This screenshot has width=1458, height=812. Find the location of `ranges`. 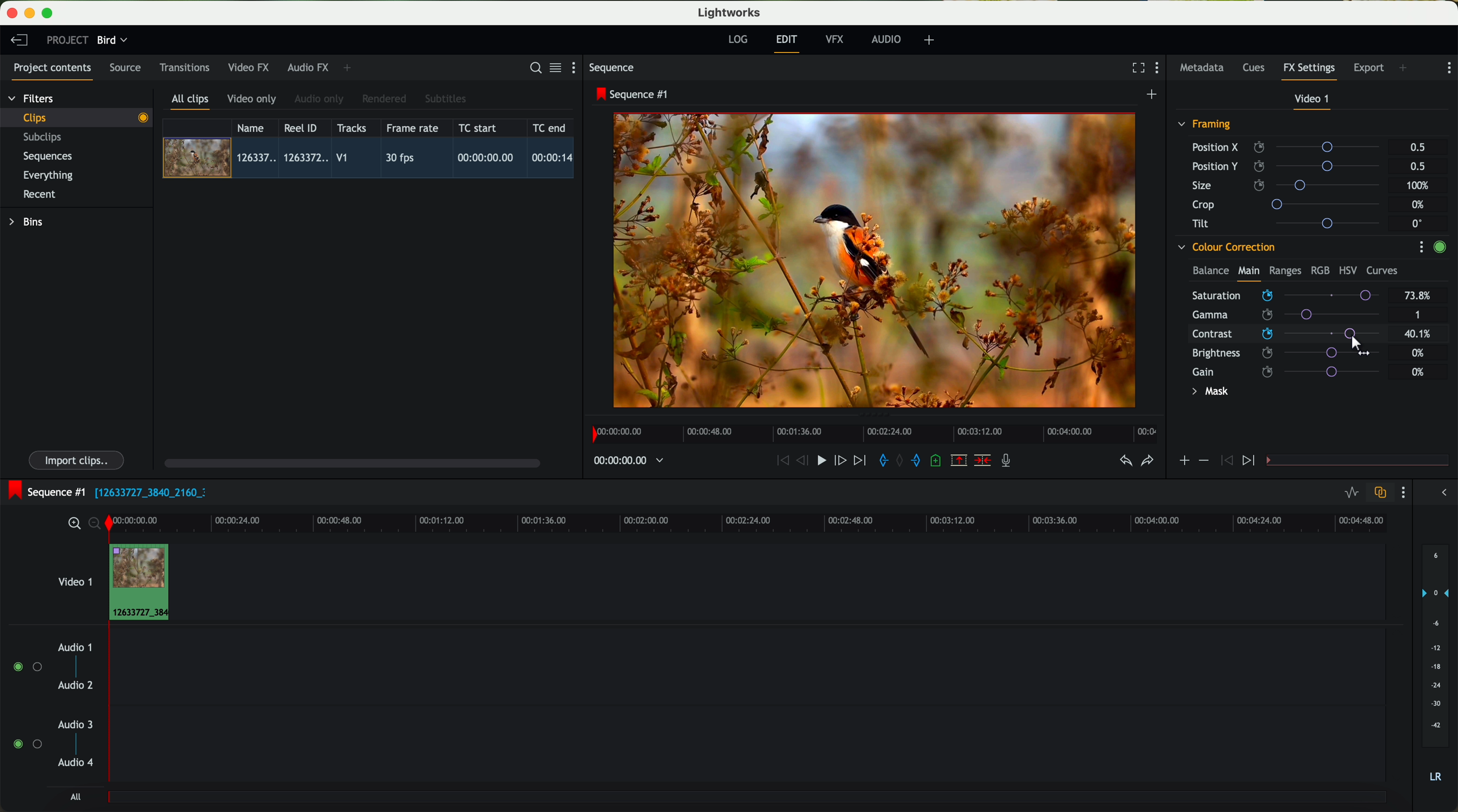

ranges is located at coordinates (1285, 270).